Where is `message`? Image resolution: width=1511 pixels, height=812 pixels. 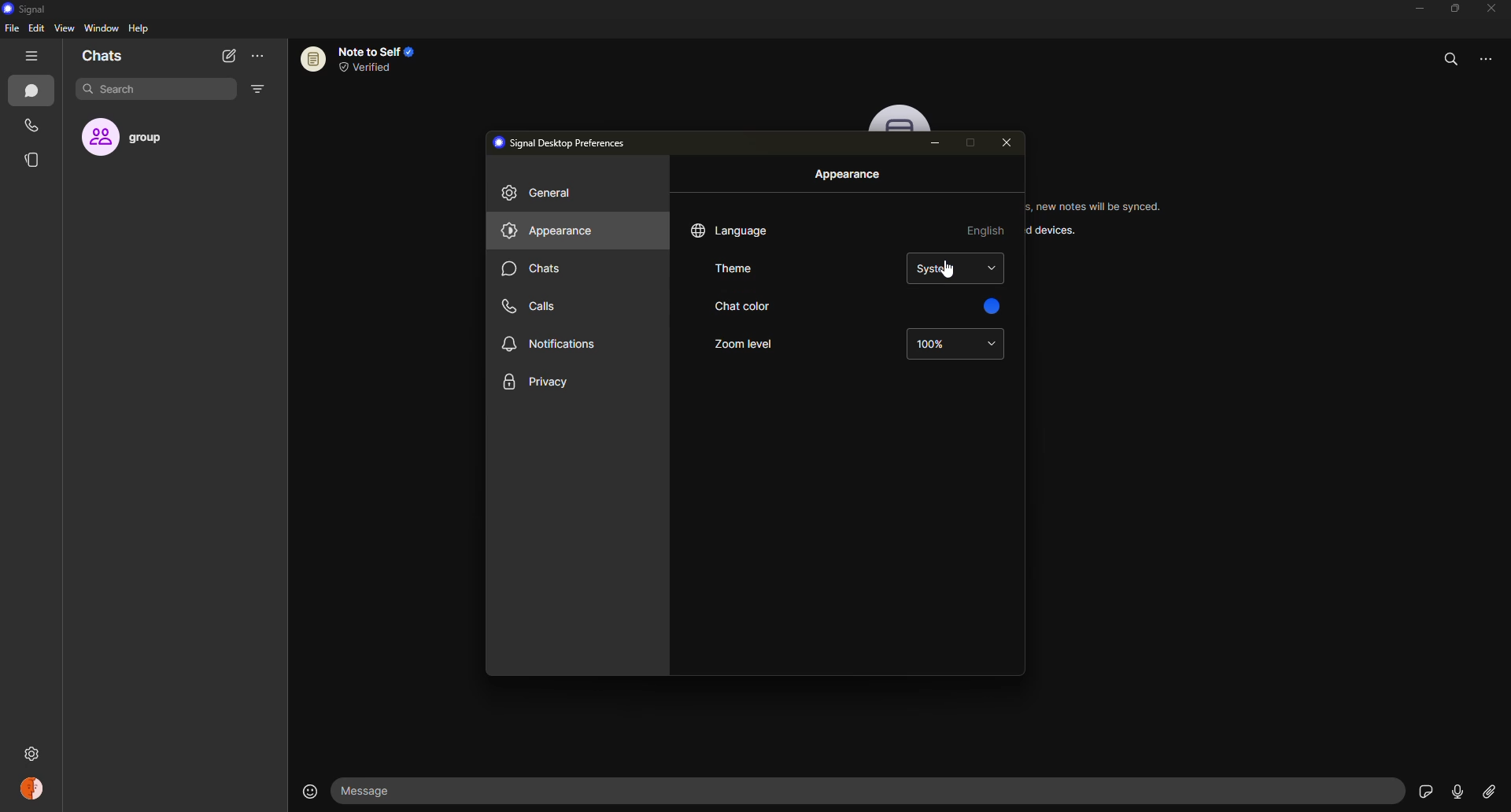 message is located at coordinates (439, 792).